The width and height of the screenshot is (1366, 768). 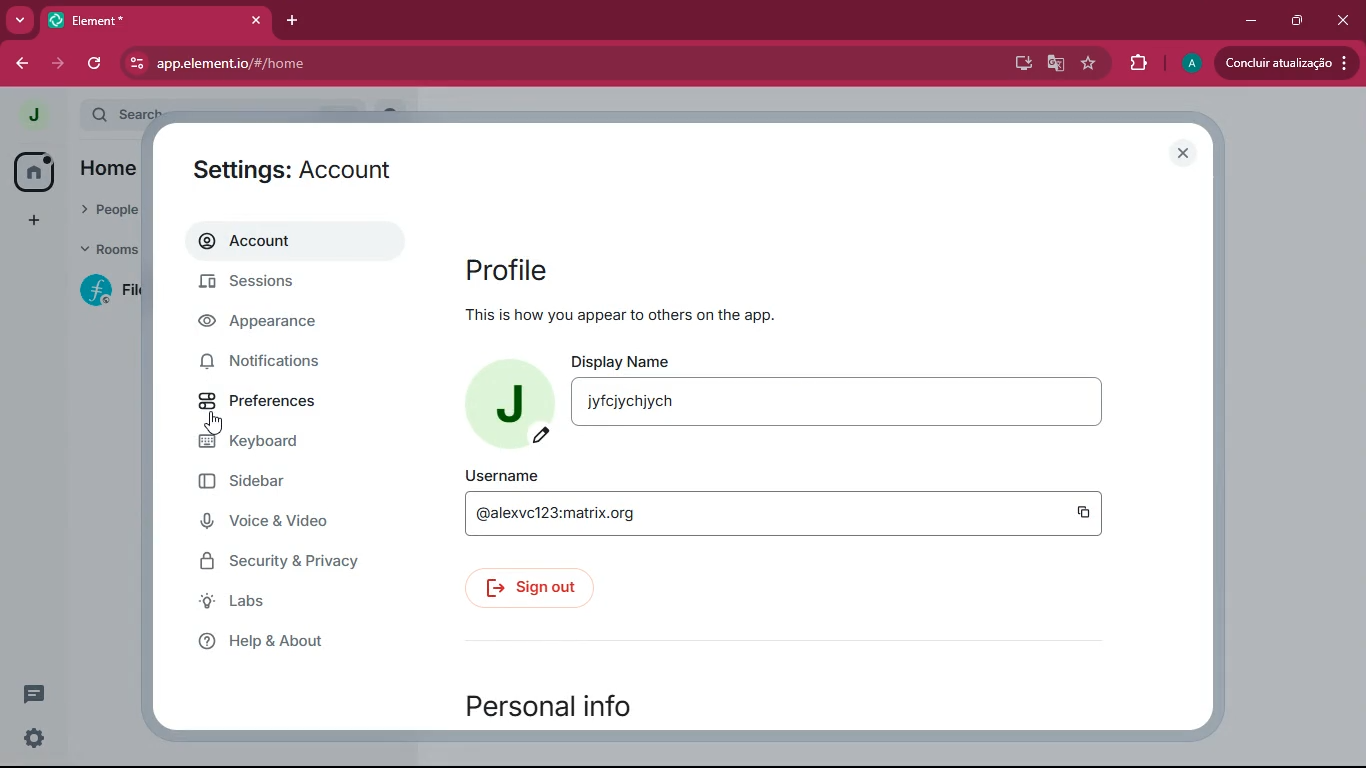 I want to click on close, so click(x=1345, y=21).